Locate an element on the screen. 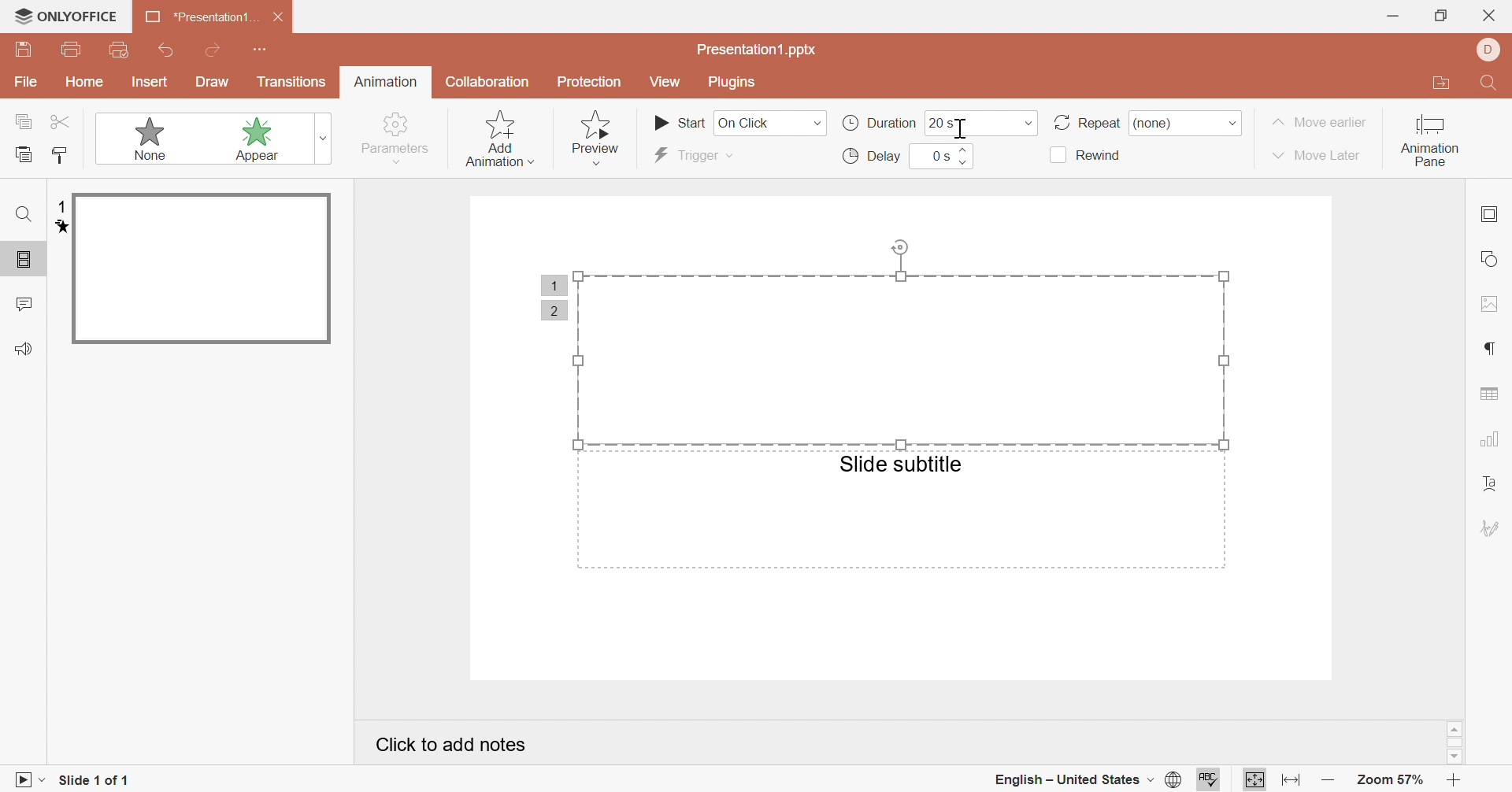 This screenshot has height=792, width=1512. fit to width is located at coordinates (1289, 781).